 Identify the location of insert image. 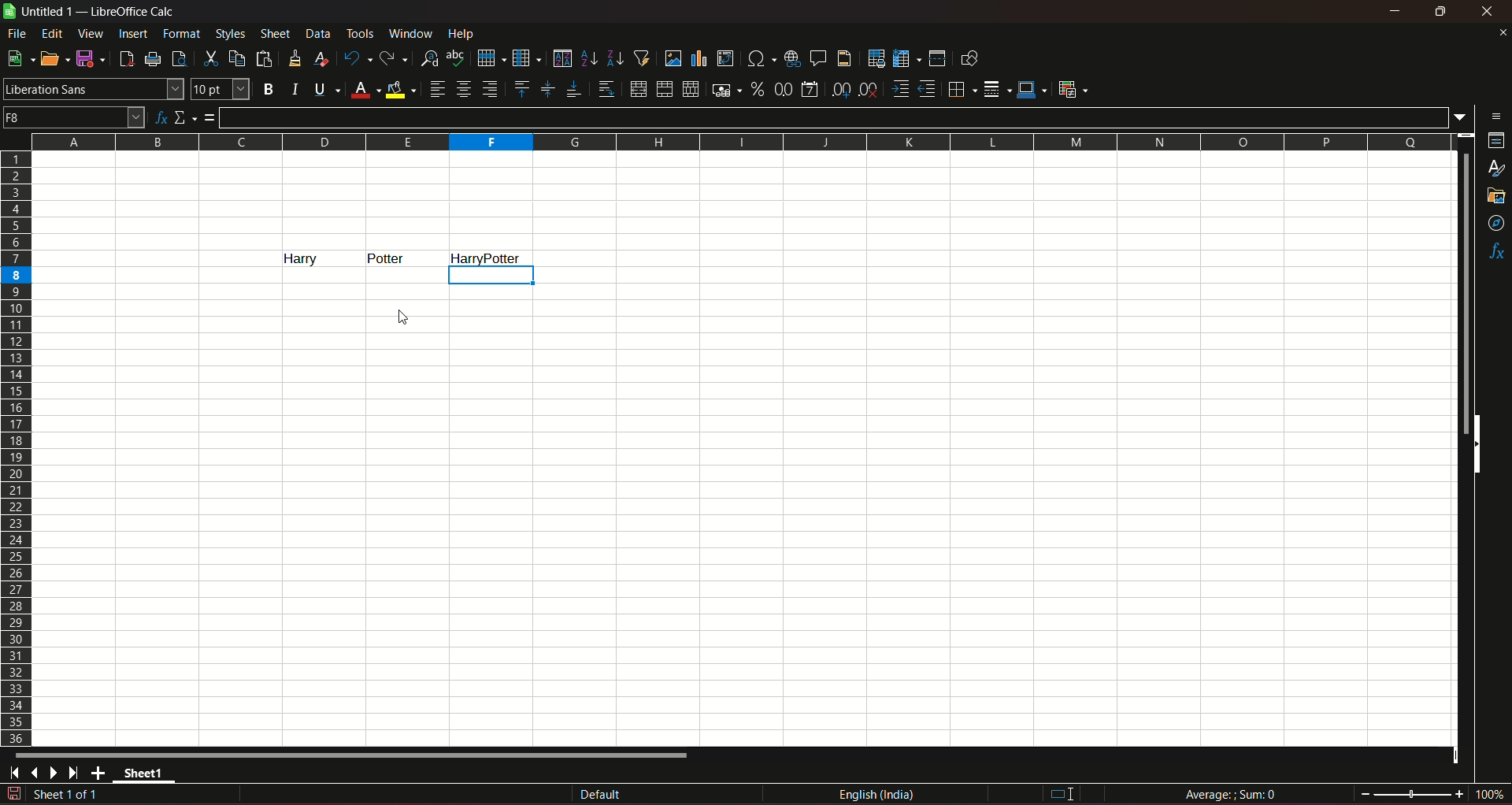
(673, 58).